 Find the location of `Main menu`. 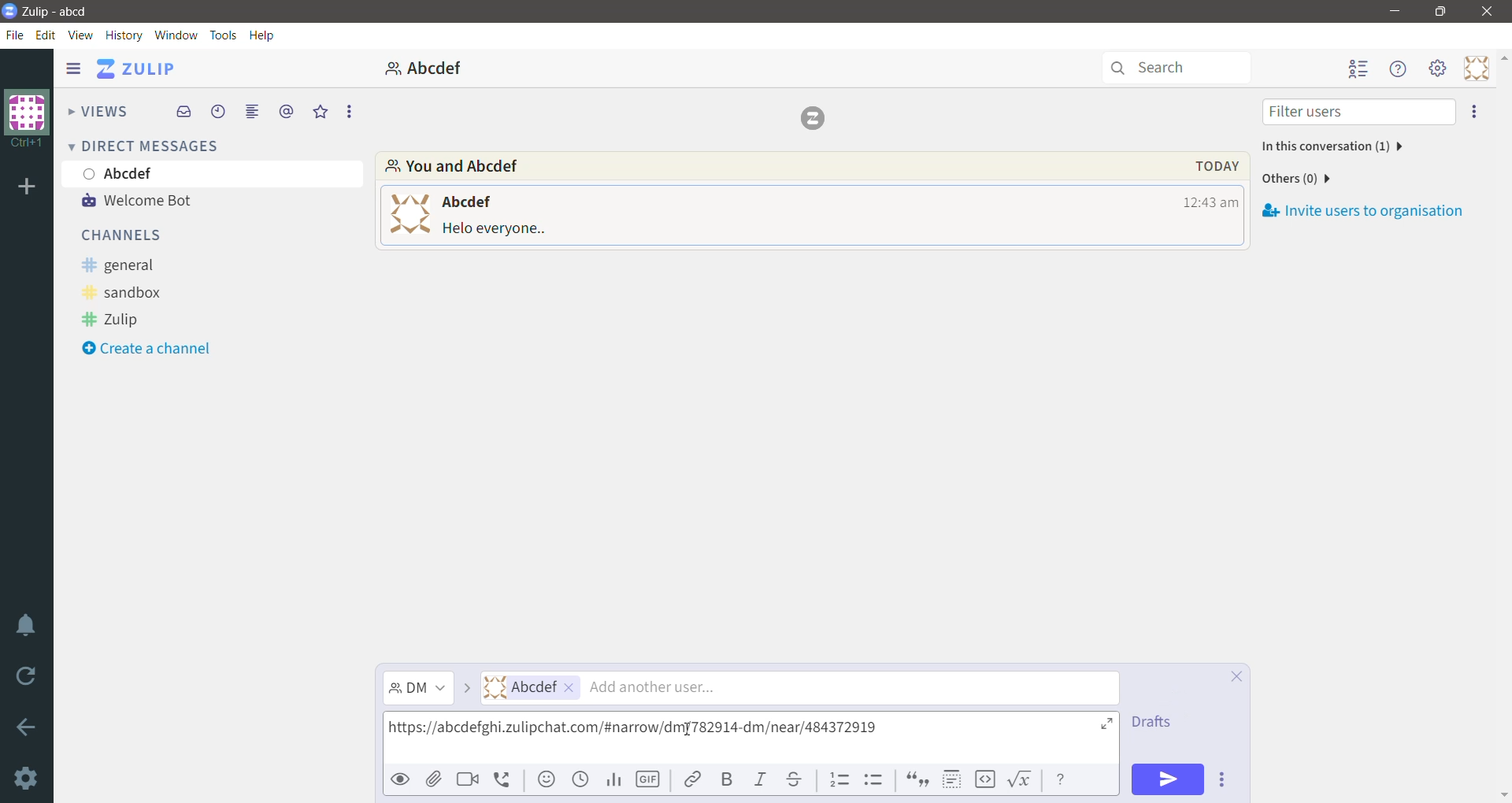

Main menu is located at coordinates (1437, 68).